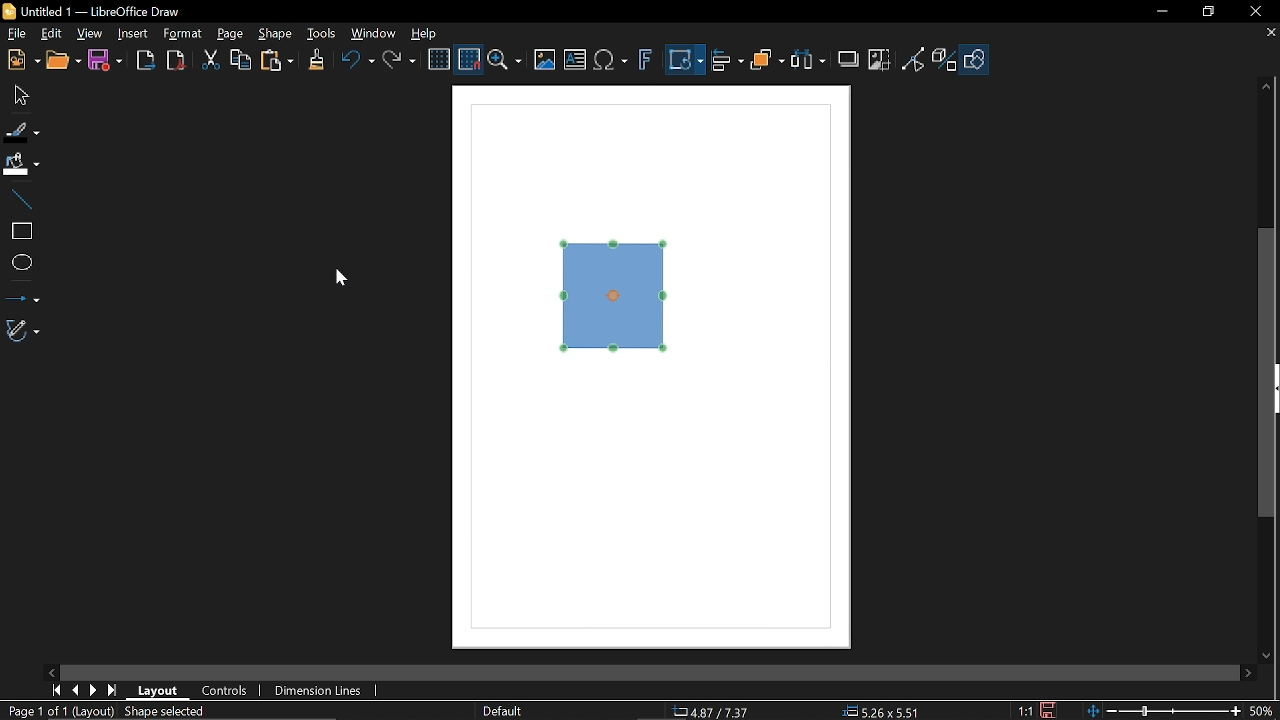 Image resolution: width=1280 pixels, height=720 pixels. Describe the element at coordinates (15, 35) in the screenshot. I see `File` at that location.